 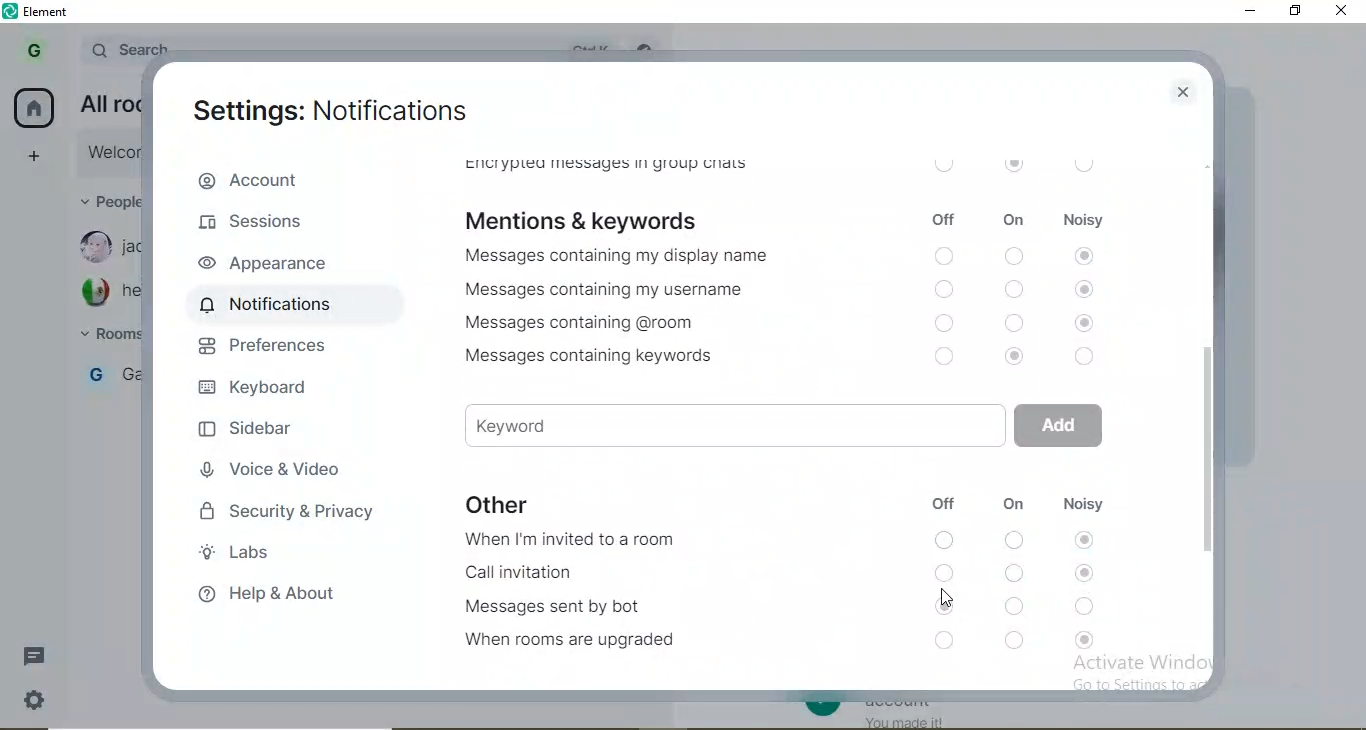 I want to click on profile, so click(x=32, y=52).